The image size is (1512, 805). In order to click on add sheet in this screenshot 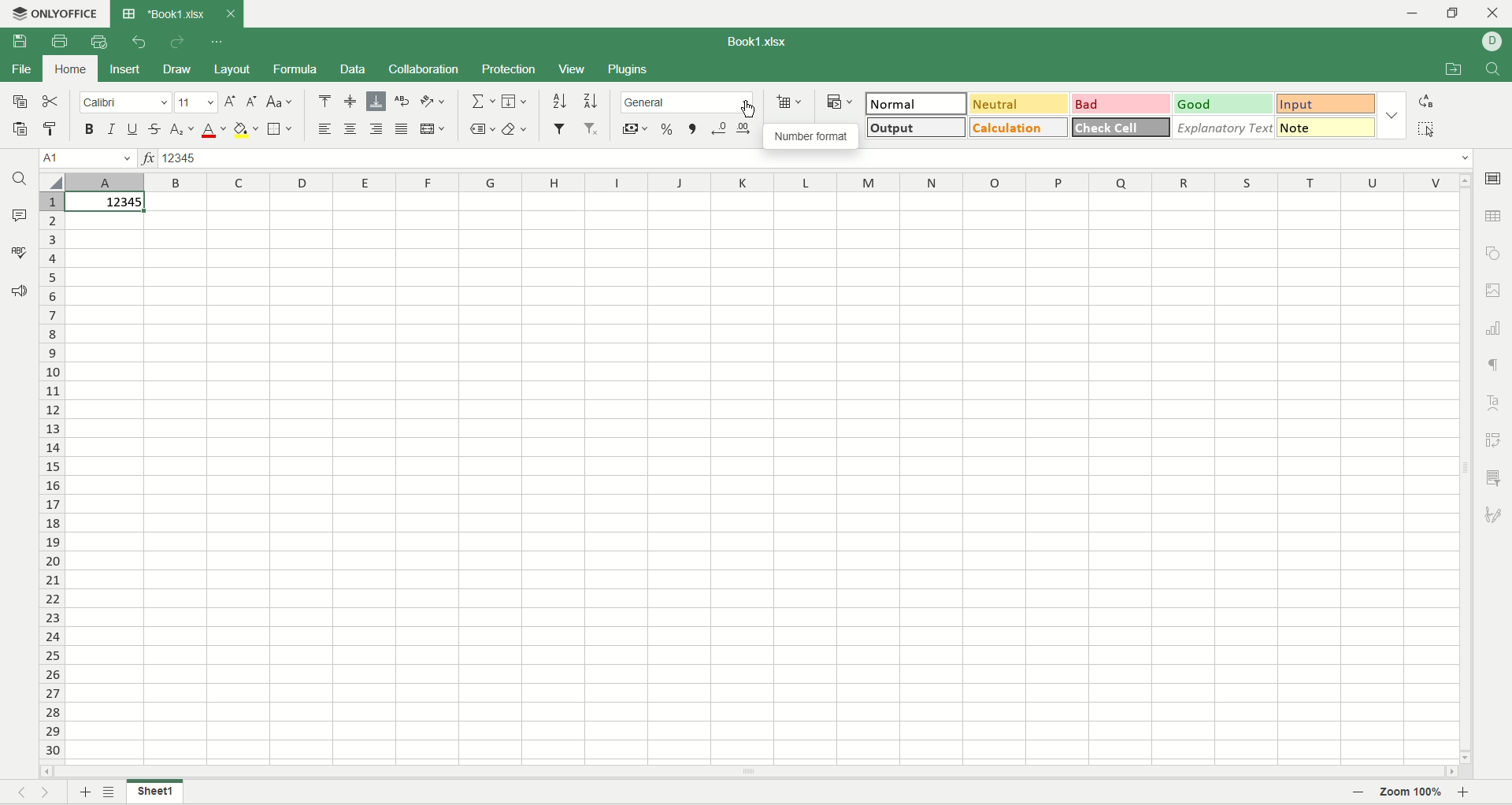, I will do `click(81, 792)`.